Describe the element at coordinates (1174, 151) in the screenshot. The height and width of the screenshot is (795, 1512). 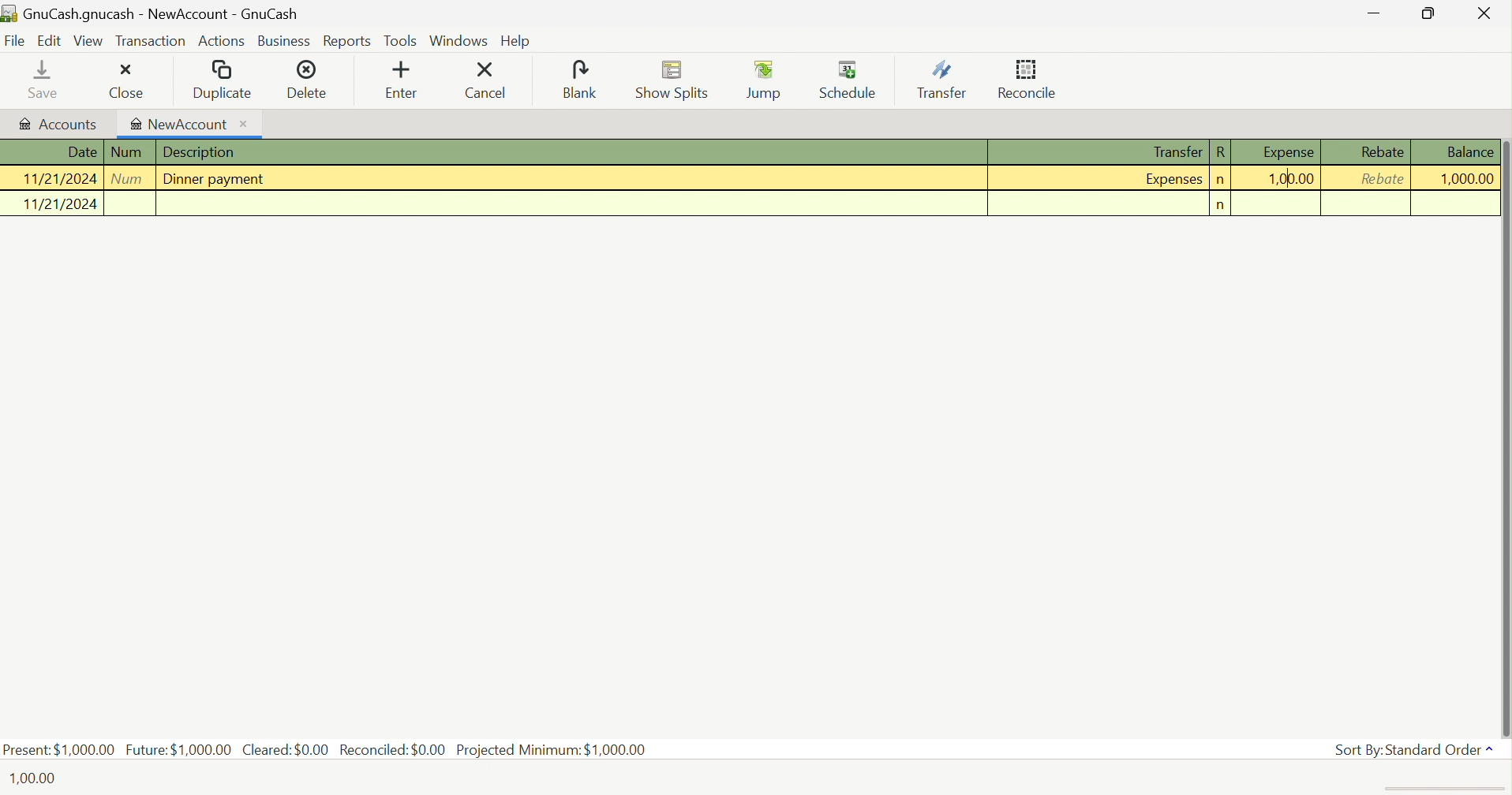
I see `Transfer` at that location.